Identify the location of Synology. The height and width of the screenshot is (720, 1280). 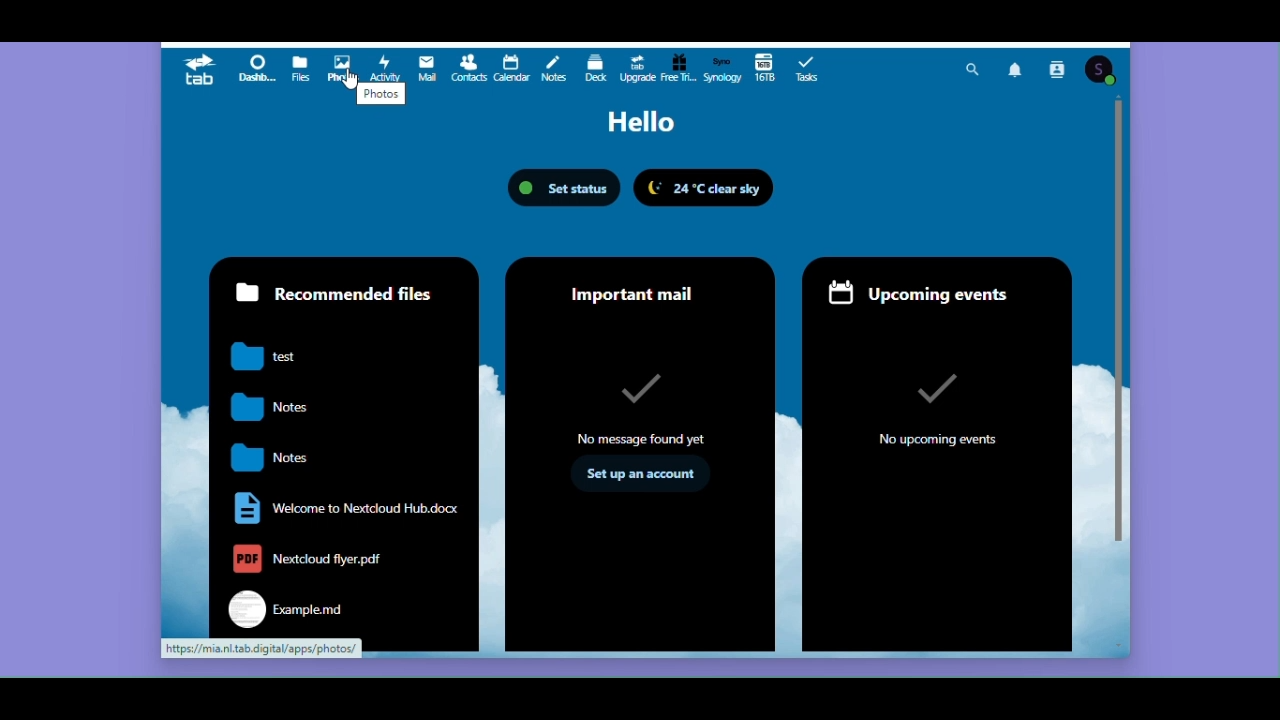
(719, 67).